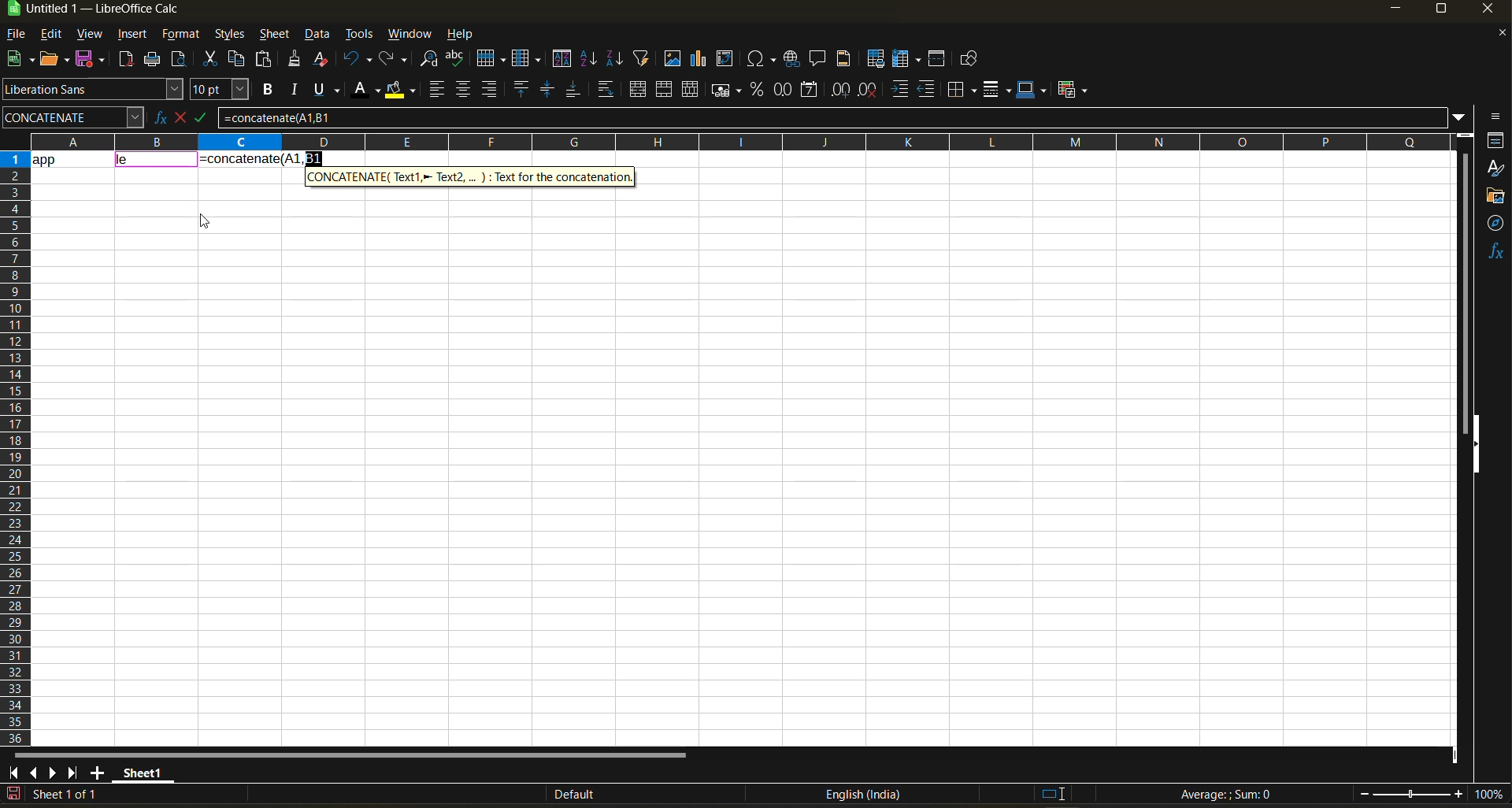  Describe the element at coordinates (399, 91) in the screenshot. I see `background color` at that location.